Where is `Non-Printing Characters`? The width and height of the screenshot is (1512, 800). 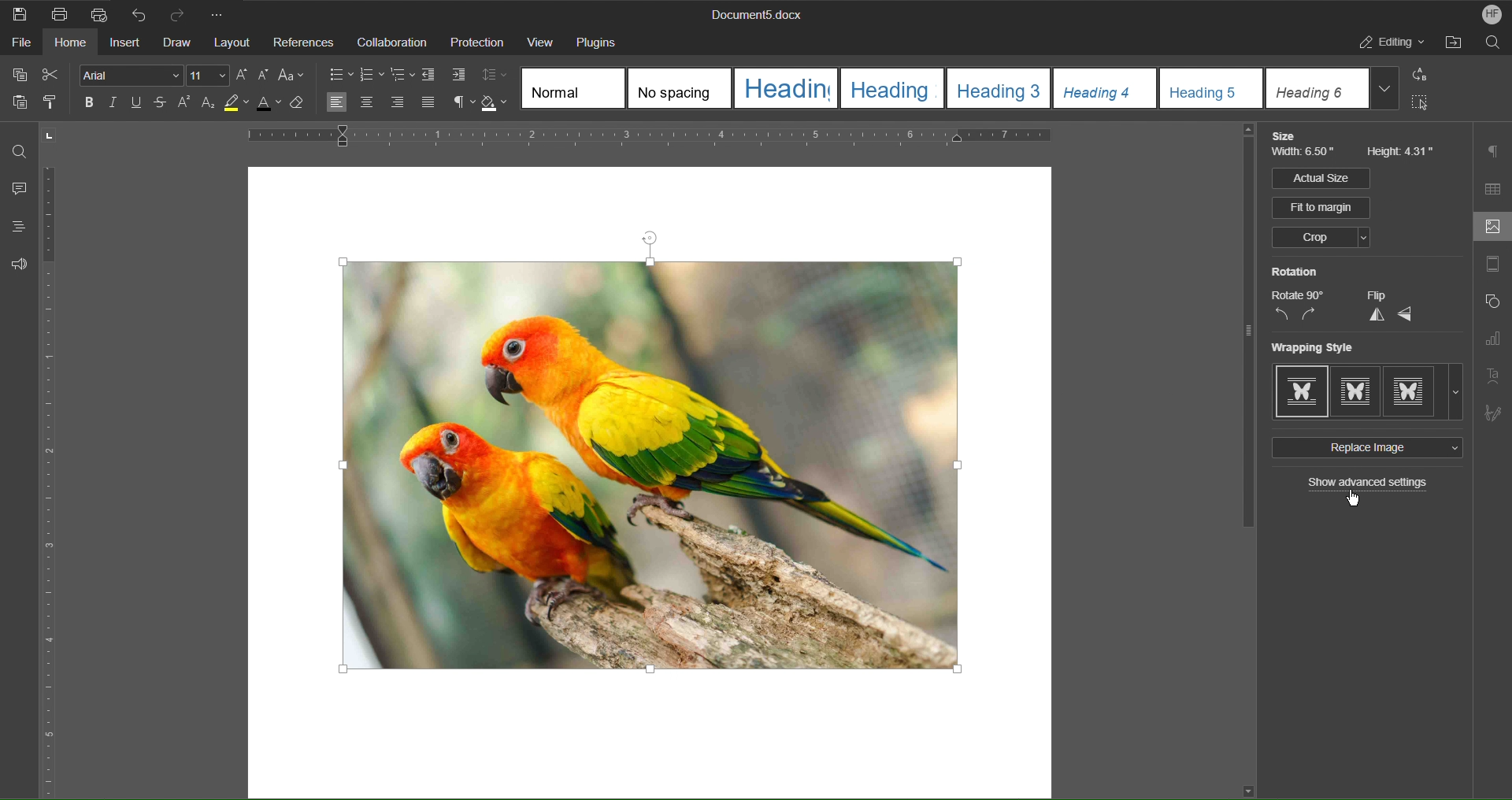 Non-Printing Characters is located at coordinates (458, 103).